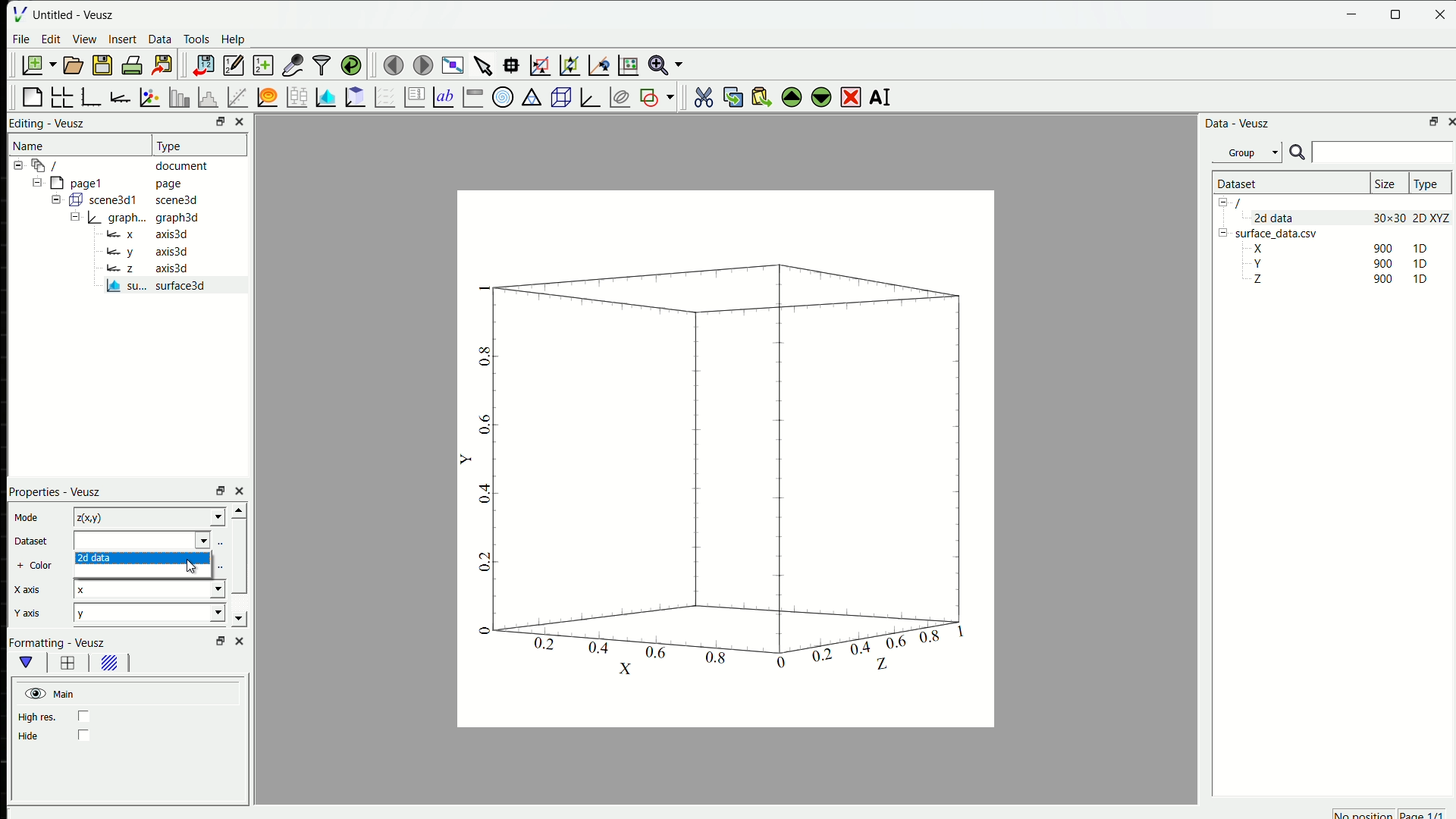 This screenshot has height=819, width=1456. What do you see at coordinates (444, 96) in the screenshot?
I see `Text label` at bounding box center [444, 96].